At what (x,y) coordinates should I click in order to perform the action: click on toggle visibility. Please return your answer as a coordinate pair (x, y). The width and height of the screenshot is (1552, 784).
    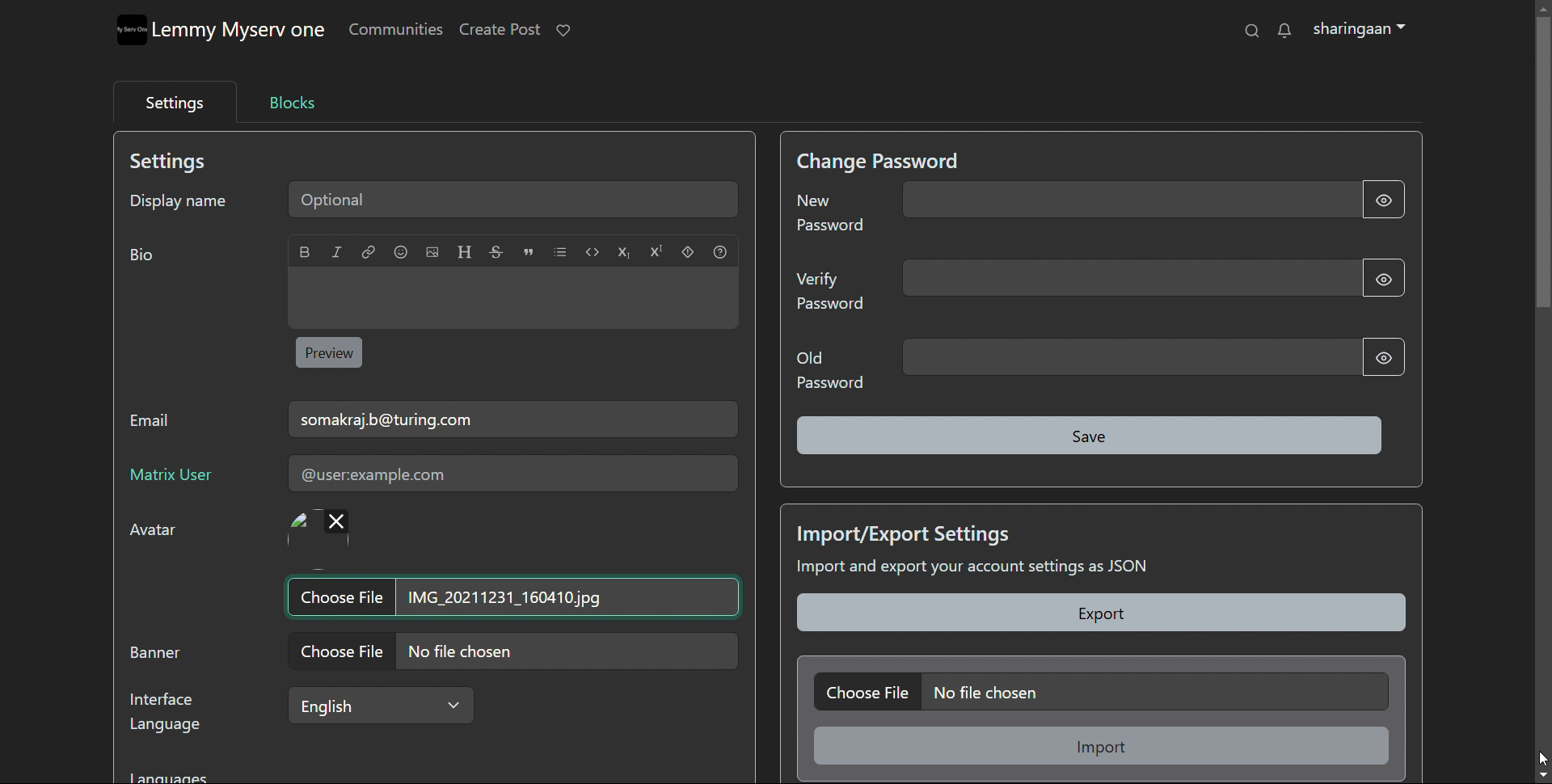
    Looking at the image, I should click on (1381, 276).